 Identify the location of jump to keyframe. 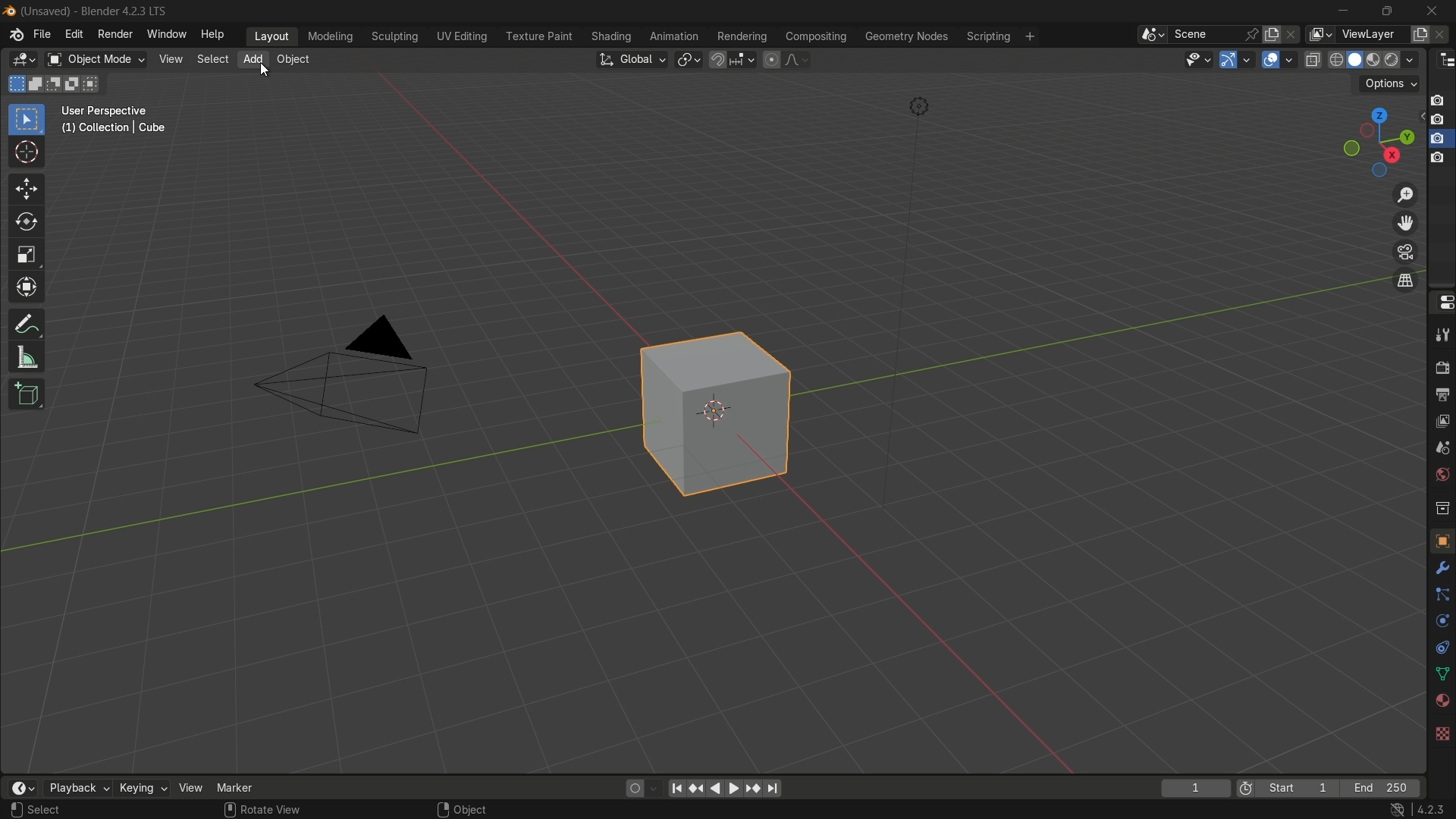
(695, 789).